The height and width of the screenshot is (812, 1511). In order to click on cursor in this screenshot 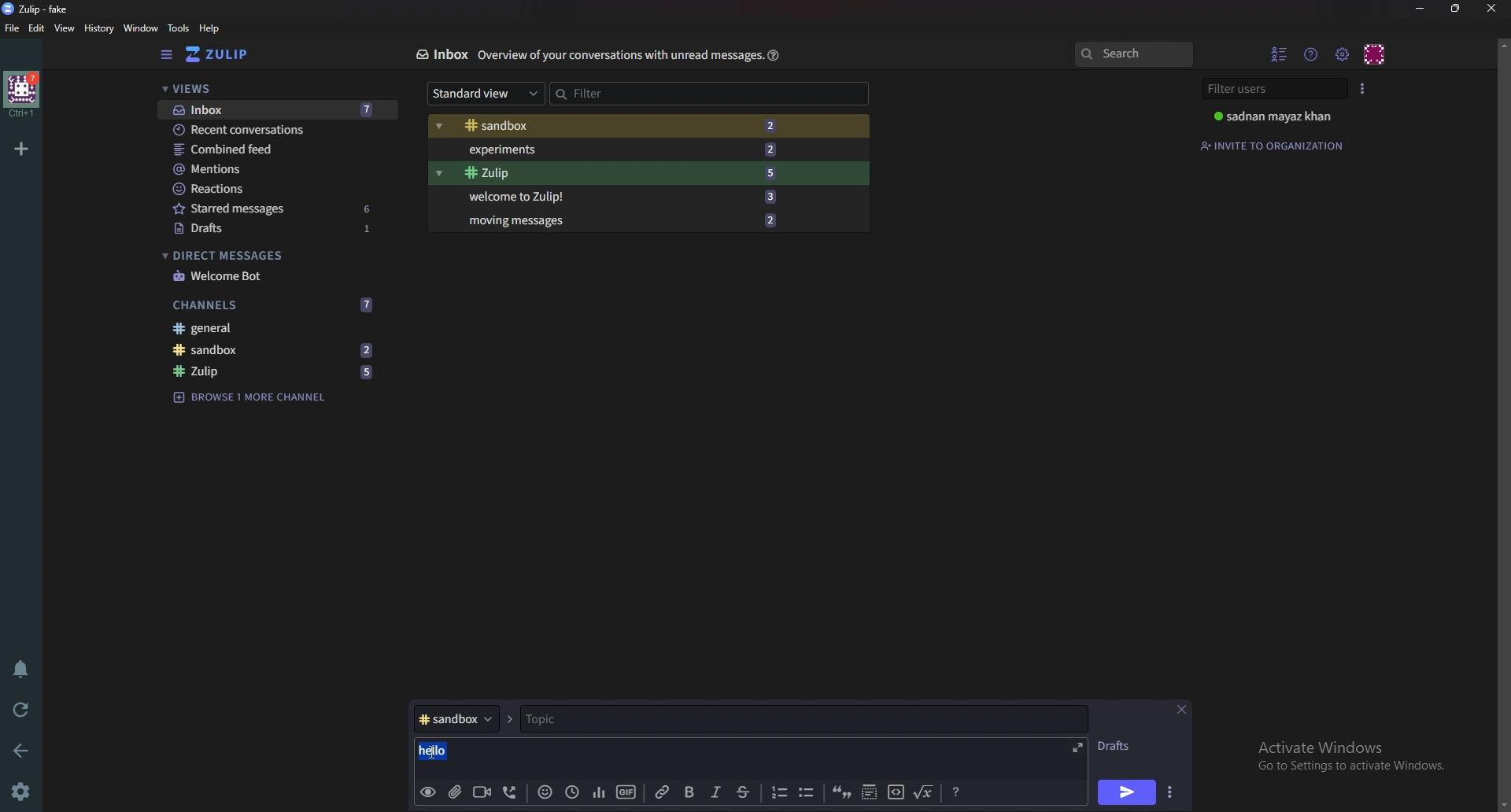, I will do `click(438, 749)`.